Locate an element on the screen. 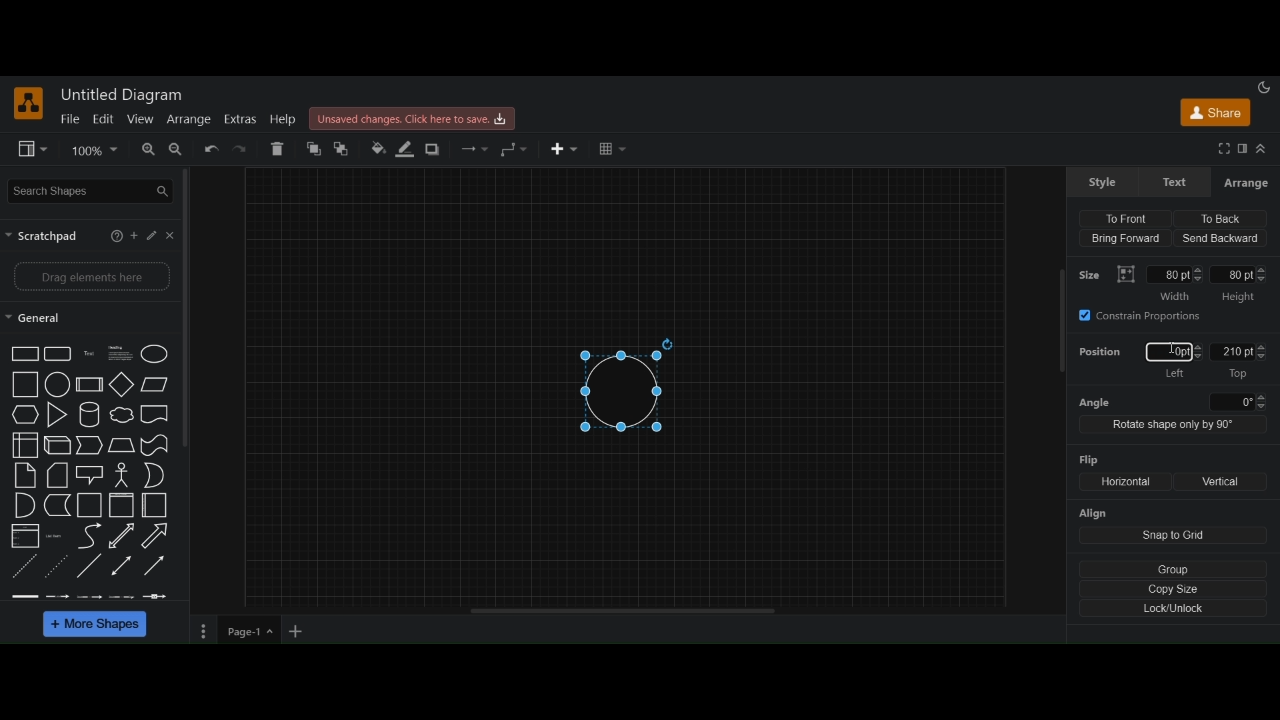 The height and width of the screenshot is (720, 1280). pages is located at coordinates (201, 633).